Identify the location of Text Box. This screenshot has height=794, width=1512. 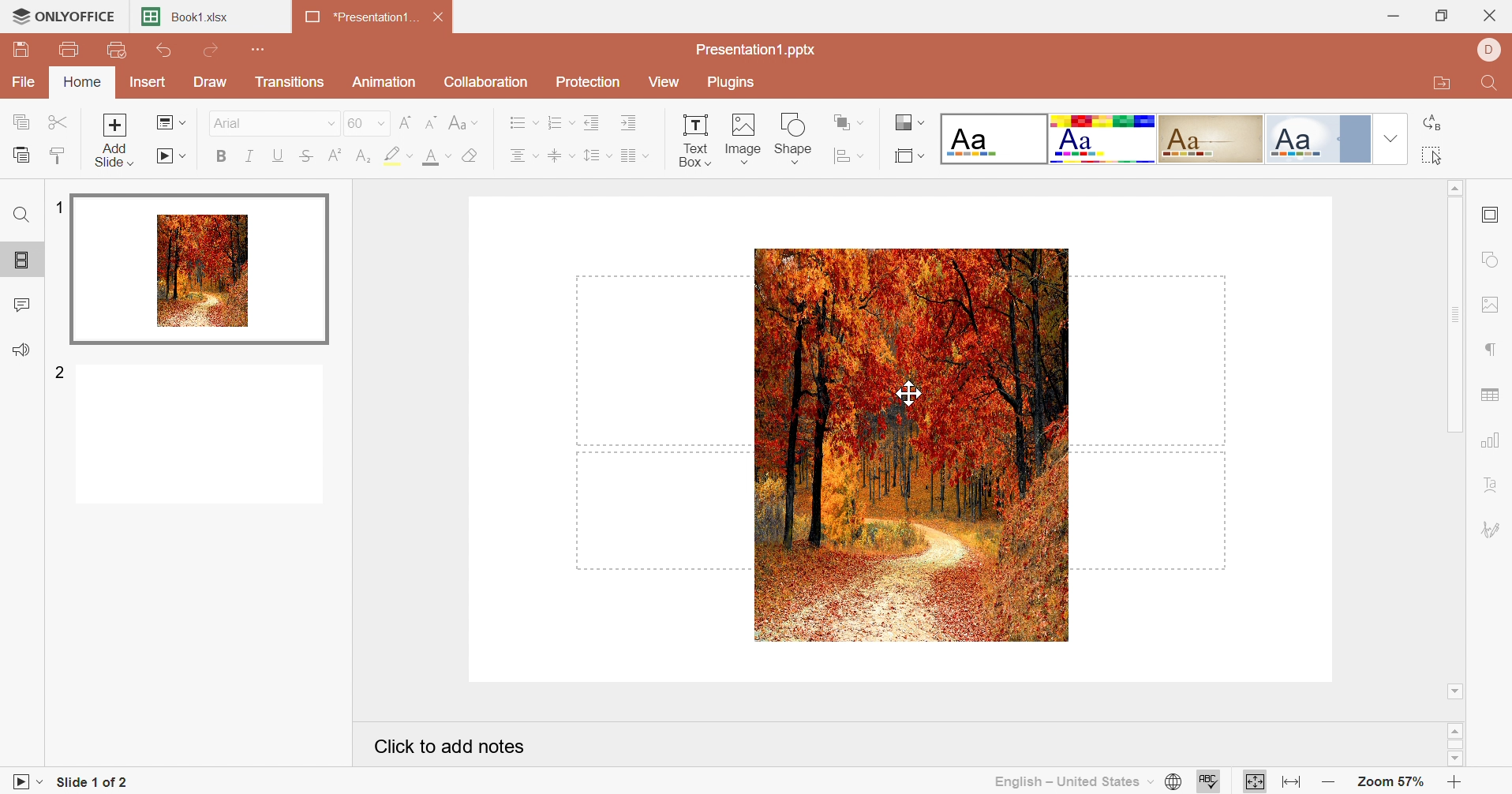
(687, 139).